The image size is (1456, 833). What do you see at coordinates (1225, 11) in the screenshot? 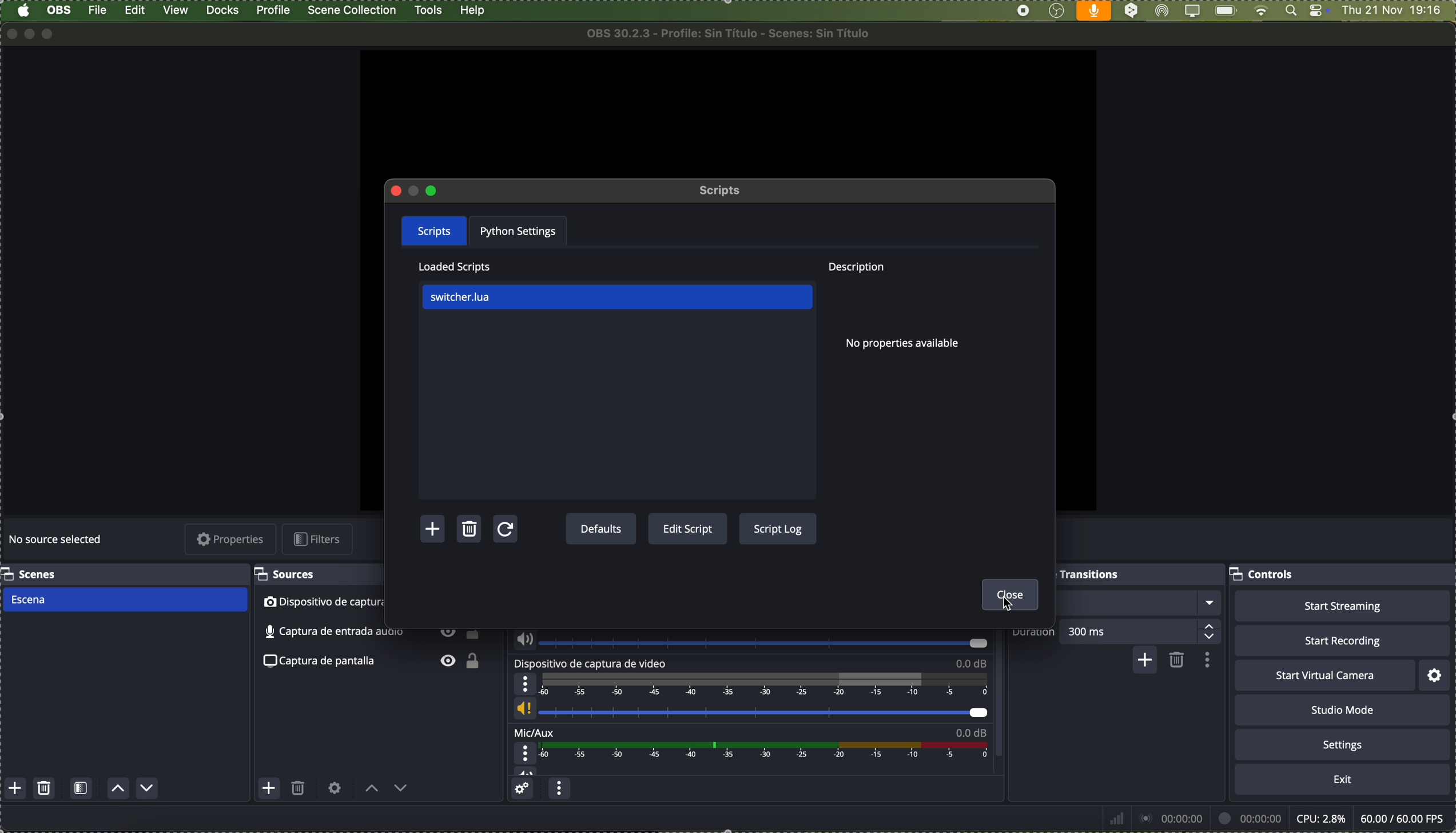
I see `battery` at bounding box center [1225, 11].